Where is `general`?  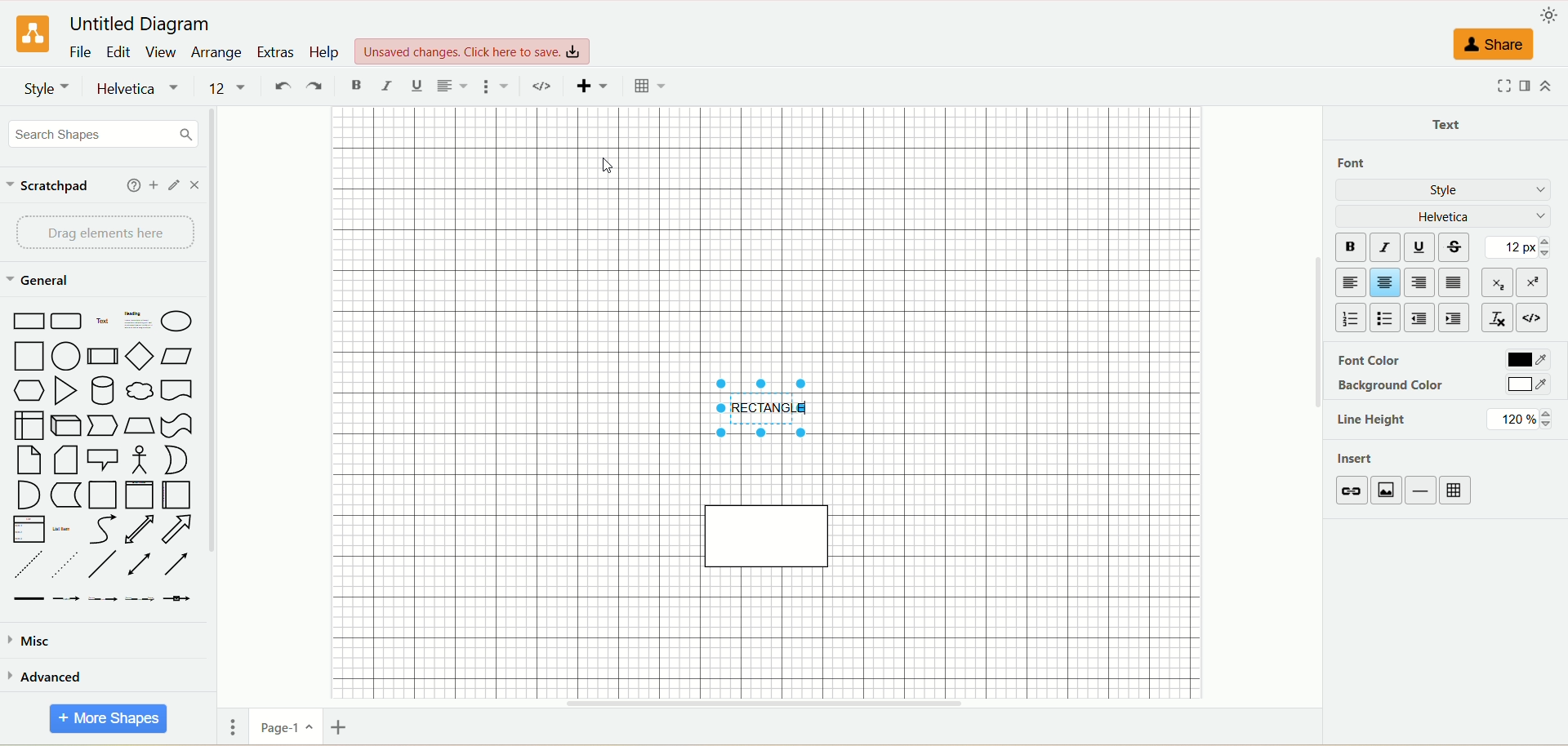
general is located at coordinates (38, 280).